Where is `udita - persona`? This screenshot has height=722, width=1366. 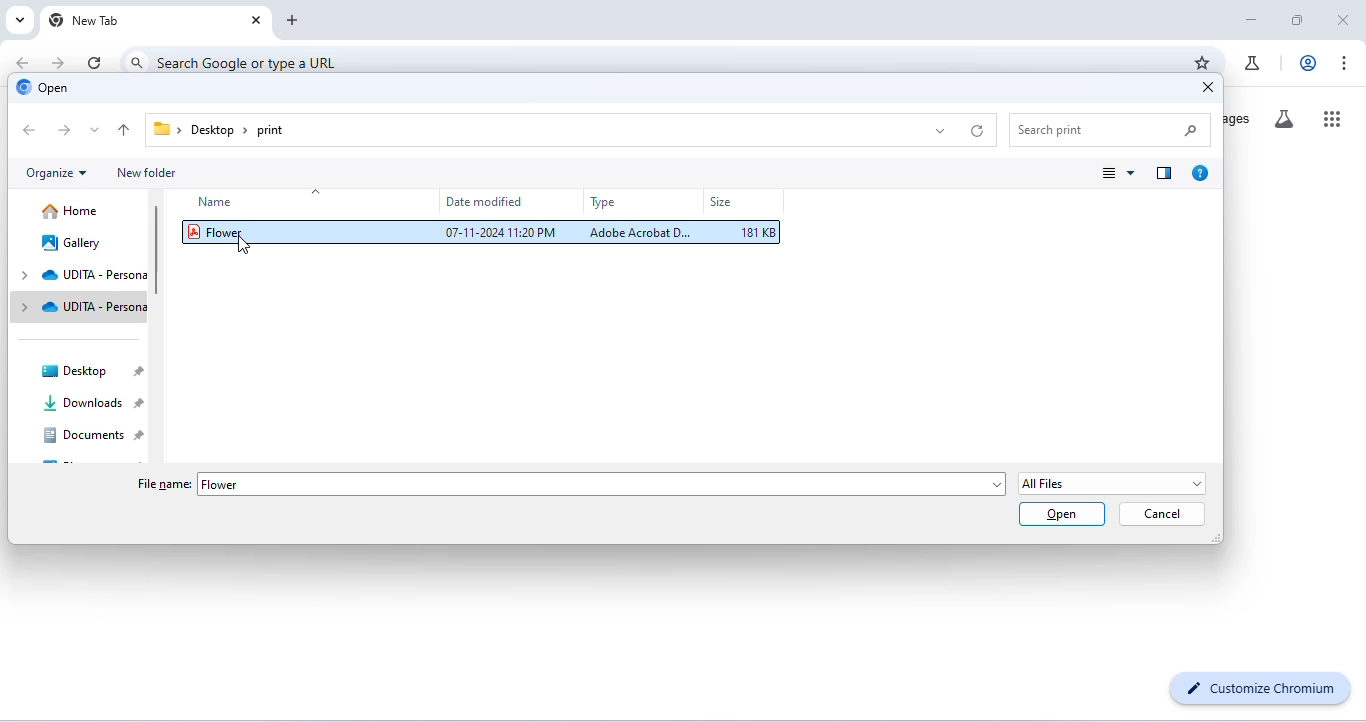
udita - persona is located at coordinates (95, 274).